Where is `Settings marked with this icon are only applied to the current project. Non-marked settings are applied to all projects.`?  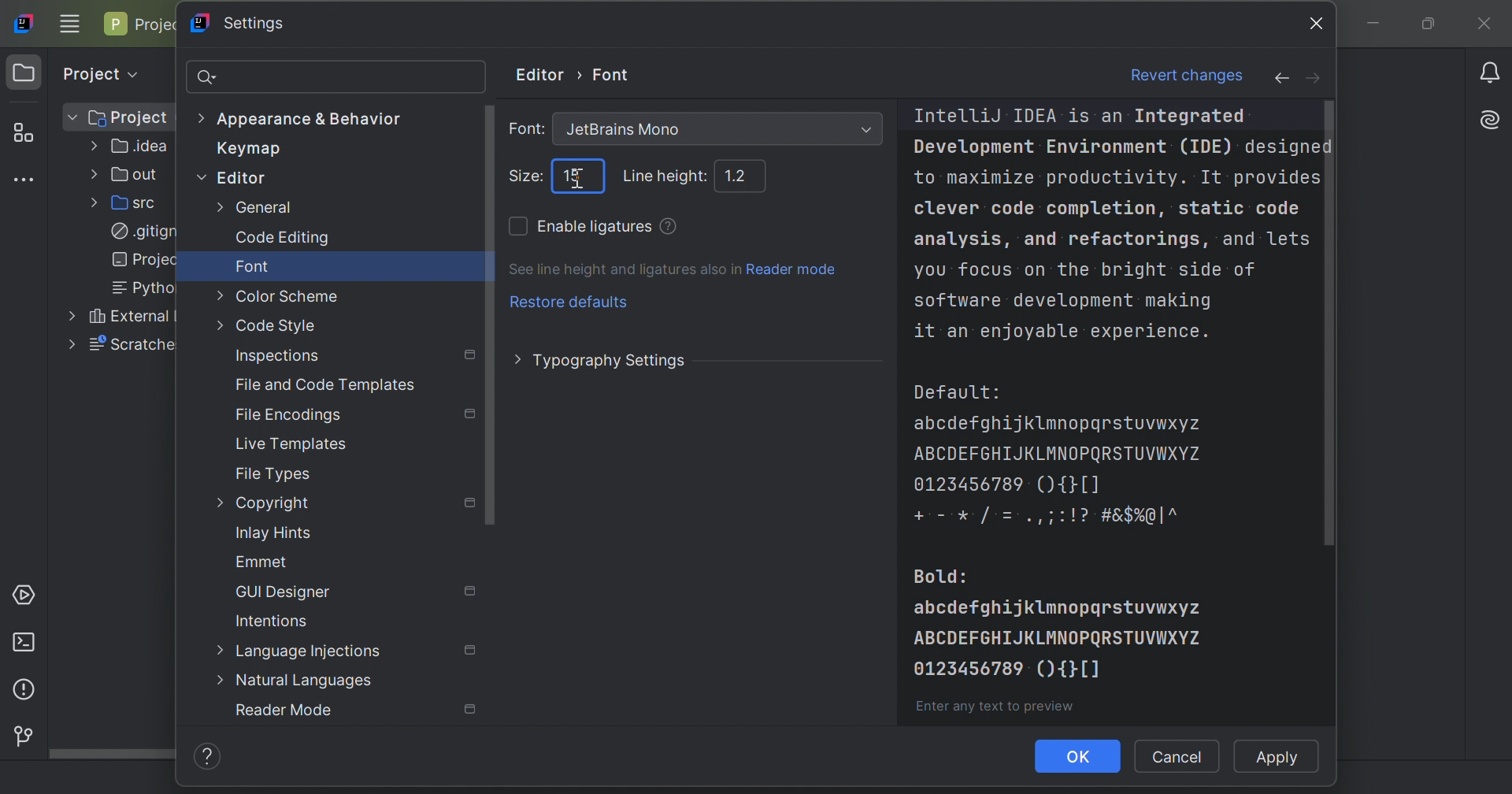
Settings marked with this icon are only applied to the current project. Non-marked settings are applied to all projects. is located at coordinates (470, 590).